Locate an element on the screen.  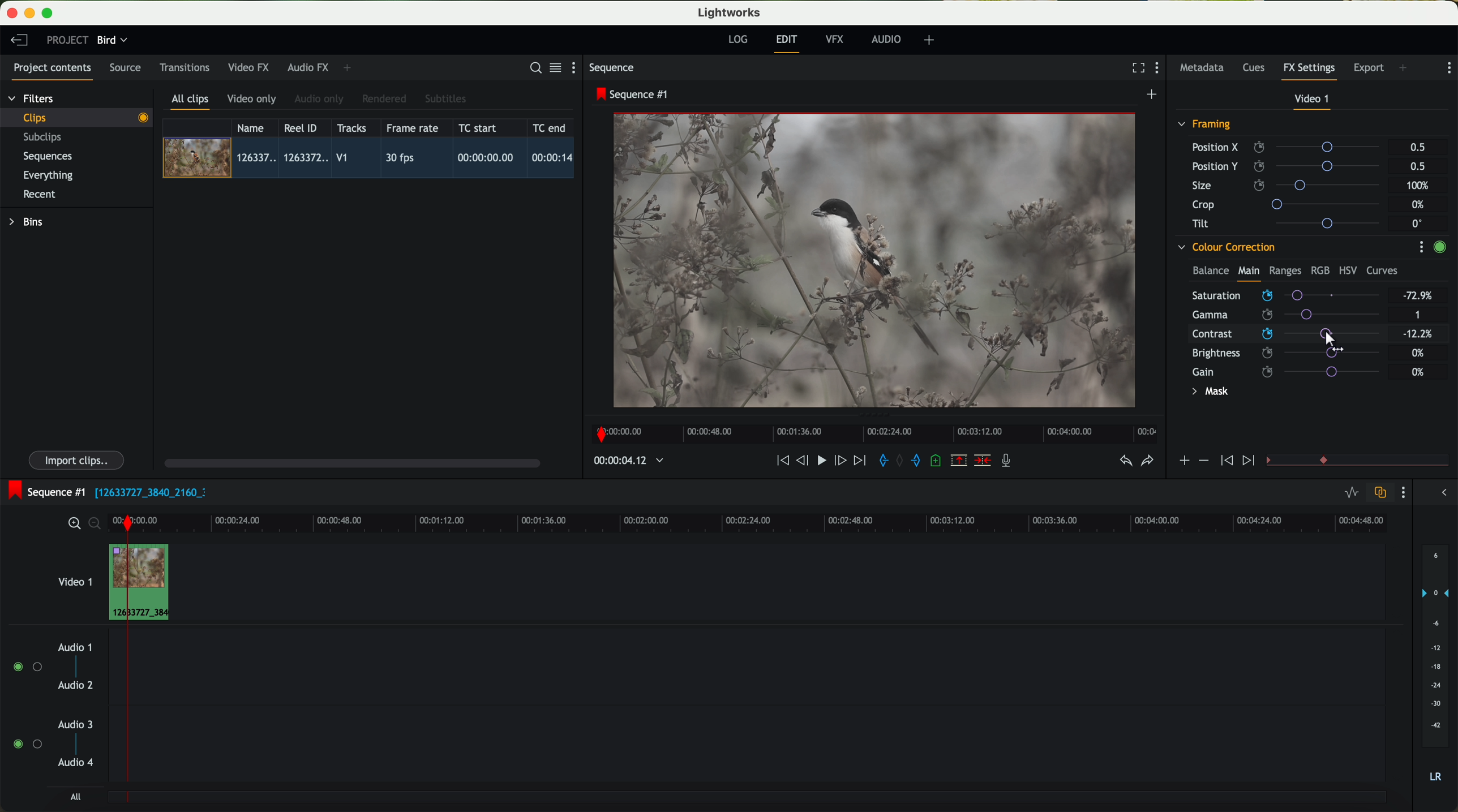
crop is located at coordinates (1290, 204).